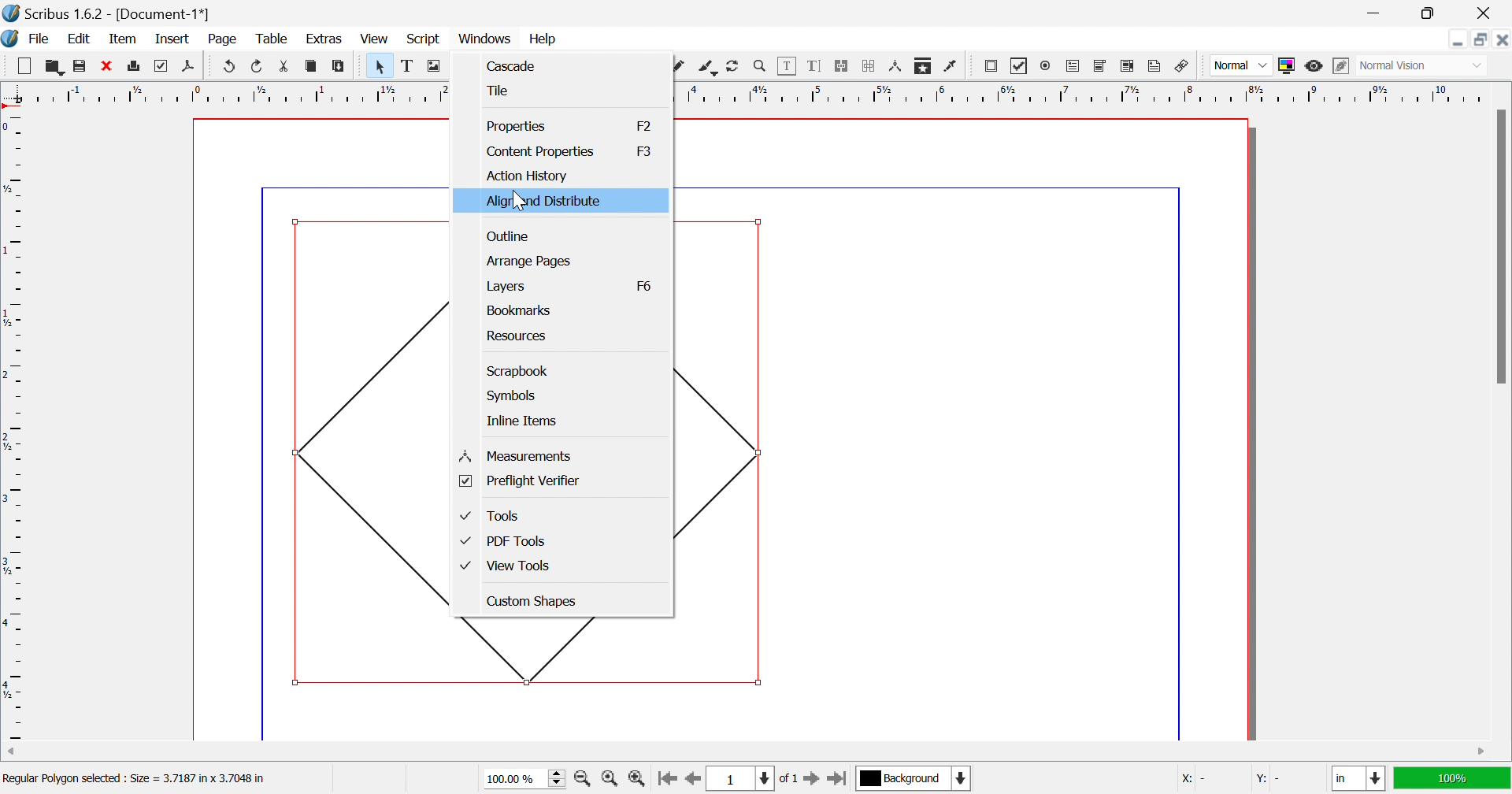 The height and width of the screenshot is (794, 1512). Describe the element at coordinates (1075, 67) in the screenshot. I see `PDF text field` at that location.